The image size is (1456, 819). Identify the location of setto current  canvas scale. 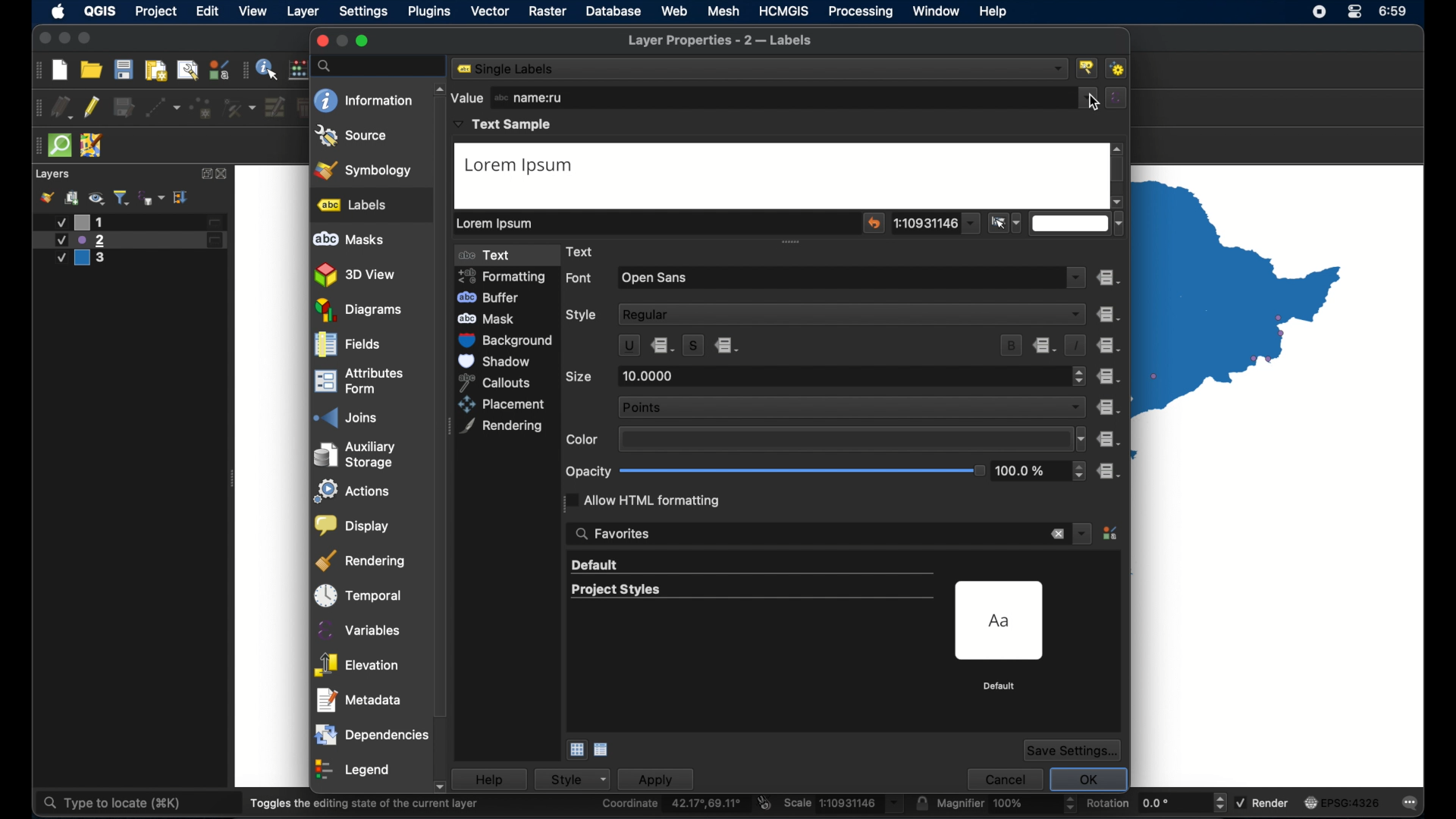
(1006, 222).